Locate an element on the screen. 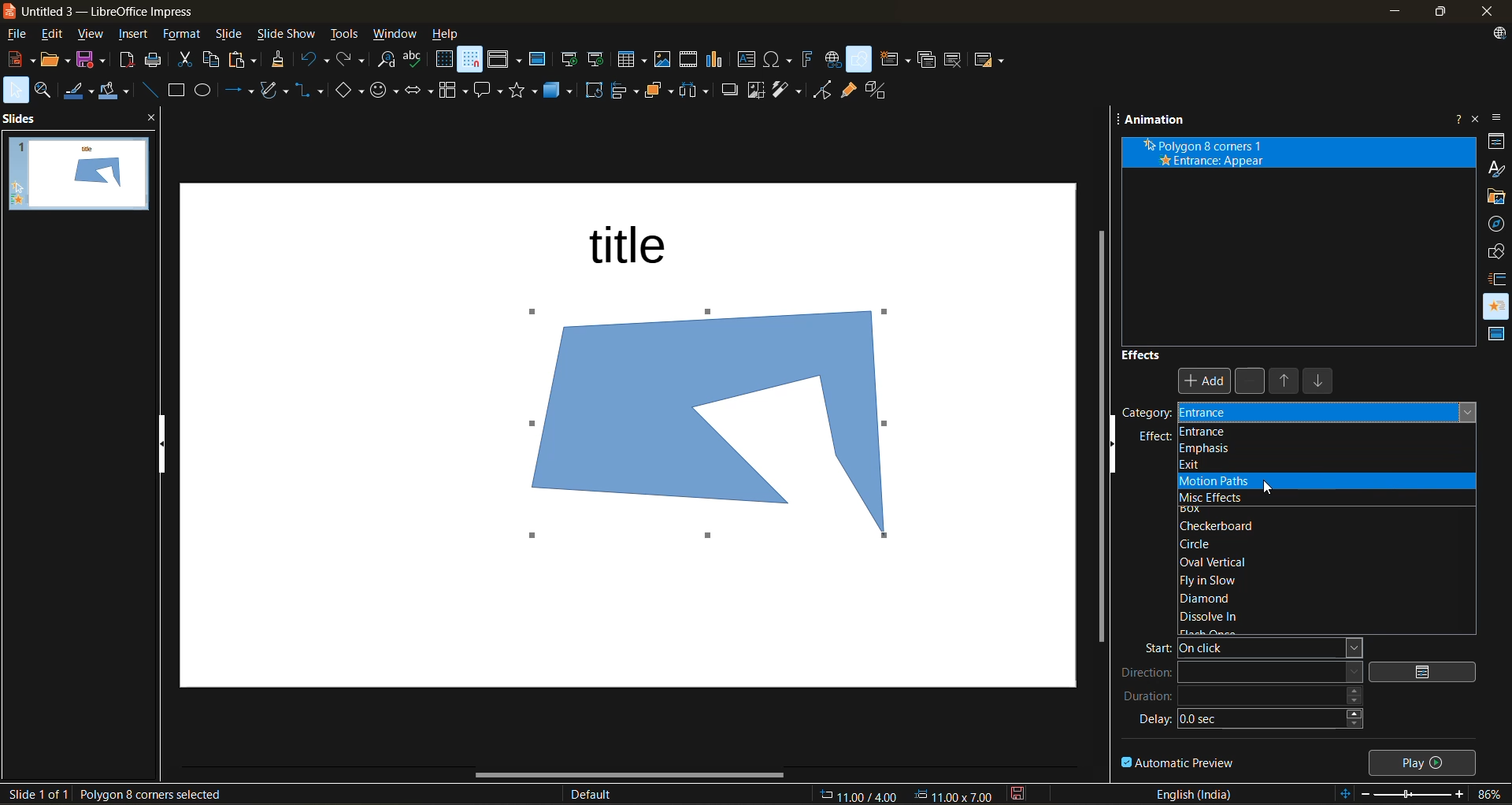 Image resolution: width=1512 pixels, height=805 pixels. insert fontwork text is located at coordinates (806, 61).